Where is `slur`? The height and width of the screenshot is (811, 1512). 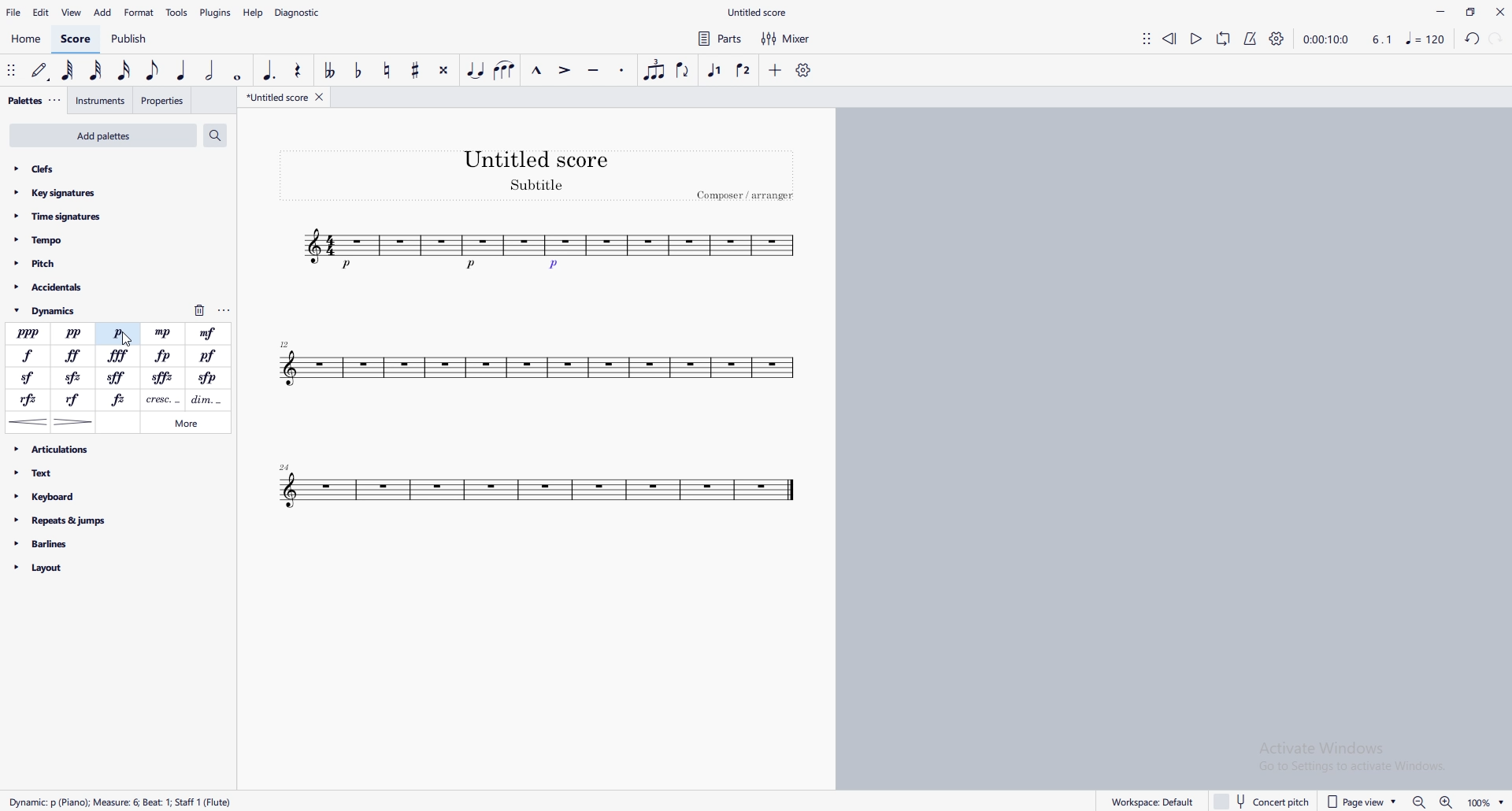 slur is located at coordinates (503, 70).